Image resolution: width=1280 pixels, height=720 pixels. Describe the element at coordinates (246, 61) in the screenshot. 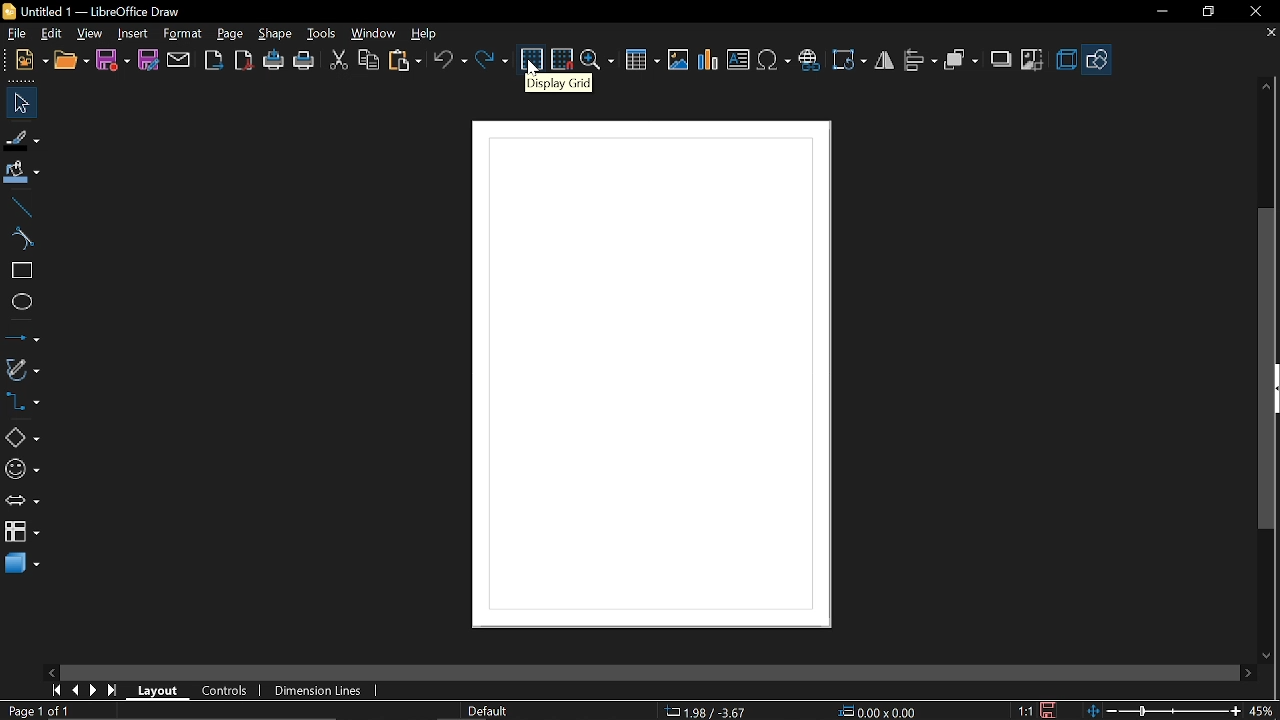

I see `Import as pdf` at that location.